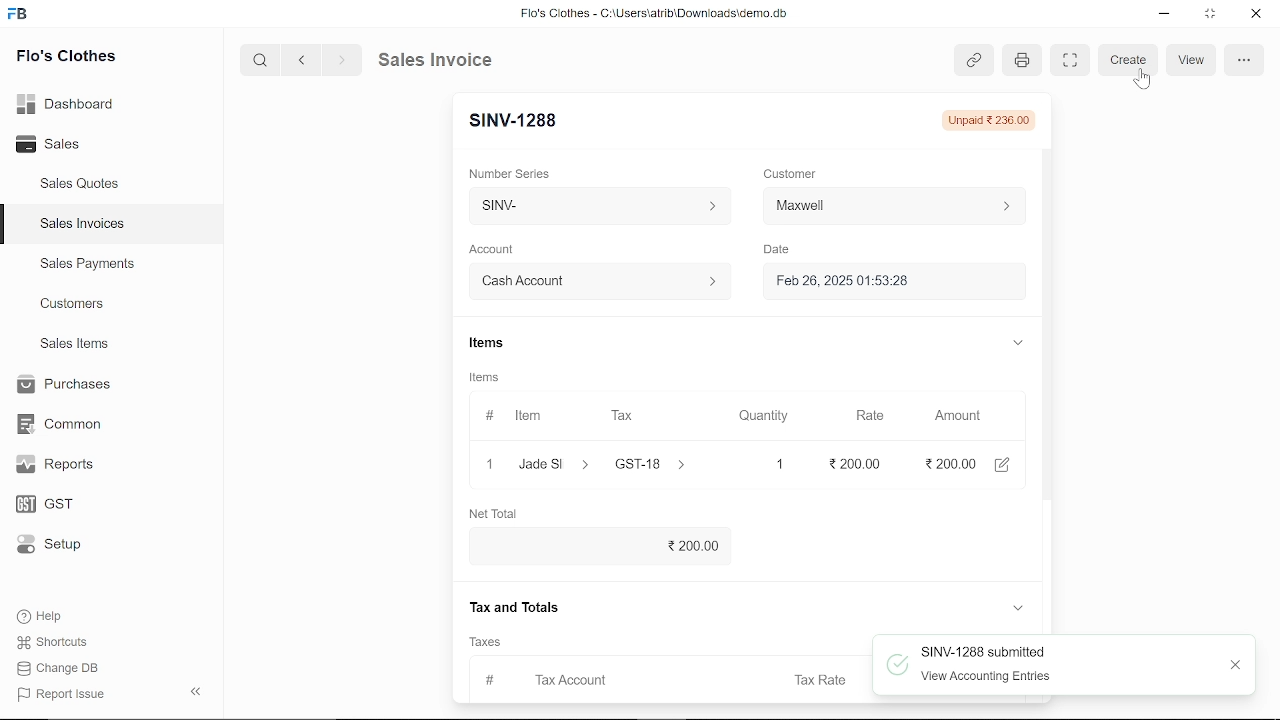  Describe the element at coordinates (73, 304) in the screenshot. I see `Customers.` at that location.